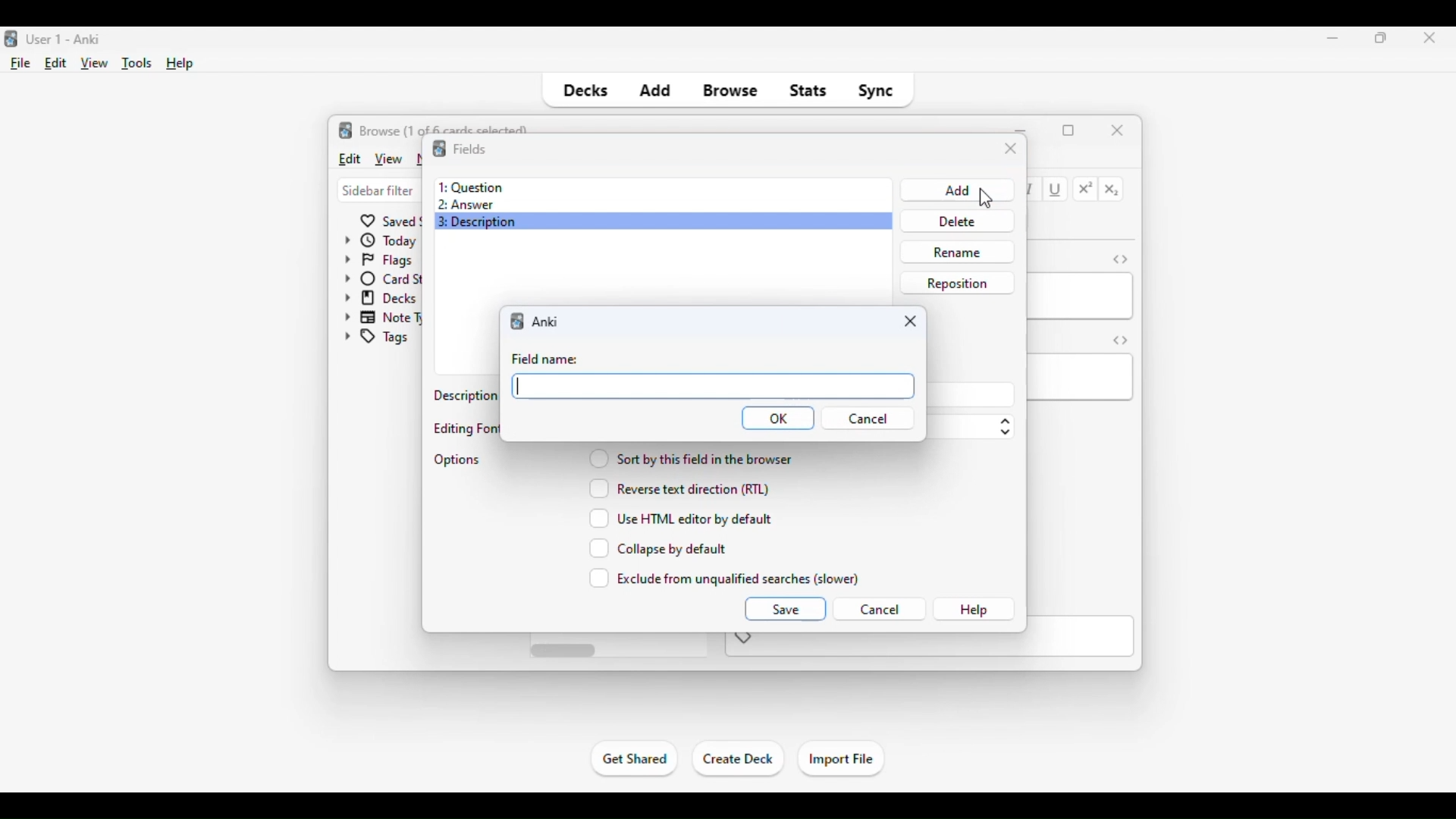 The height and width of the screenshot is (819, 1456). Describe the element at coordinates (875, 91) in the screenshot. I see `sync` at that location.